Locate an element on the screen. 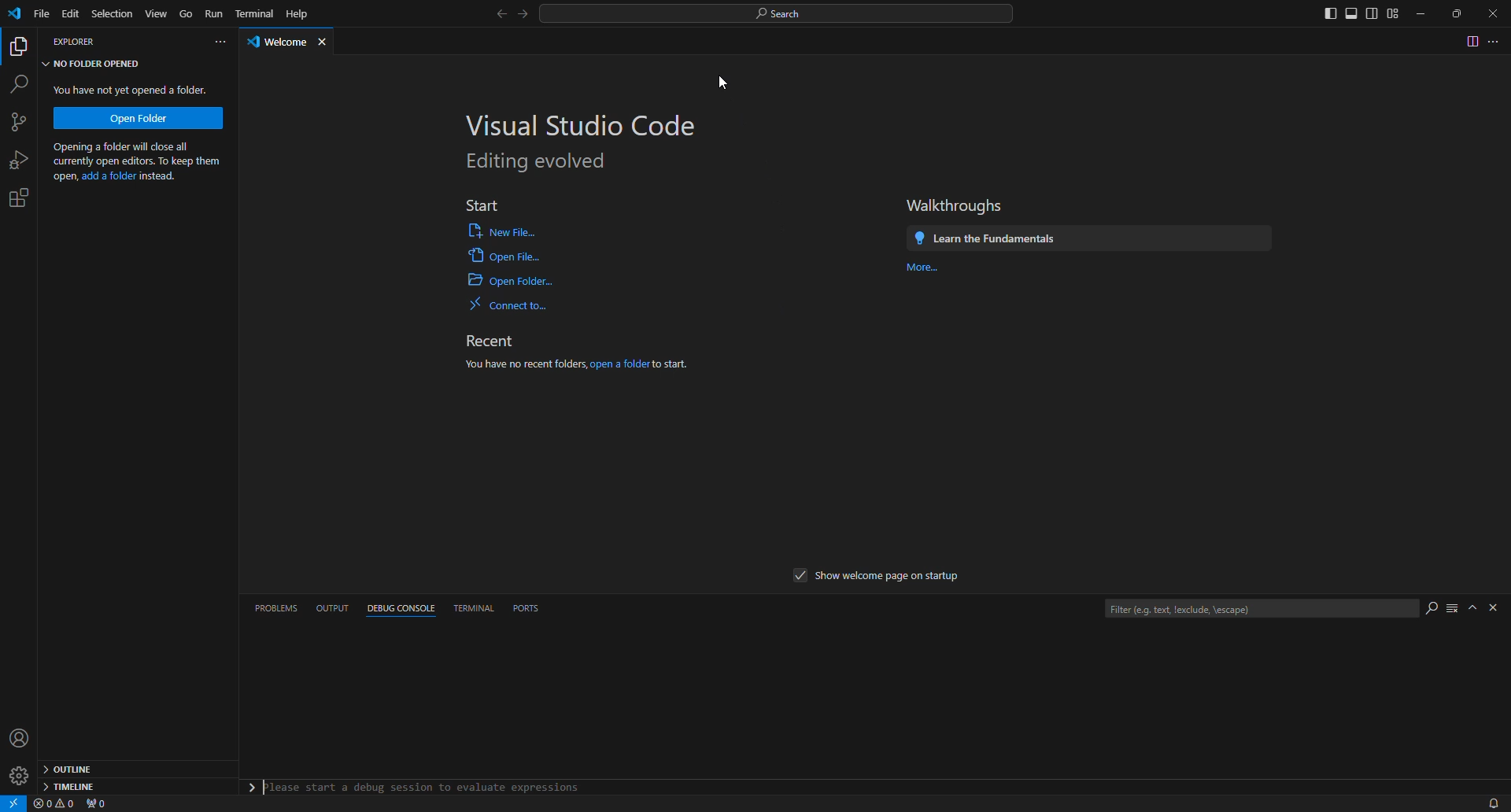 The width and height of the screenshot is (1511, 812). Recent is located at coordinates (497, 340).